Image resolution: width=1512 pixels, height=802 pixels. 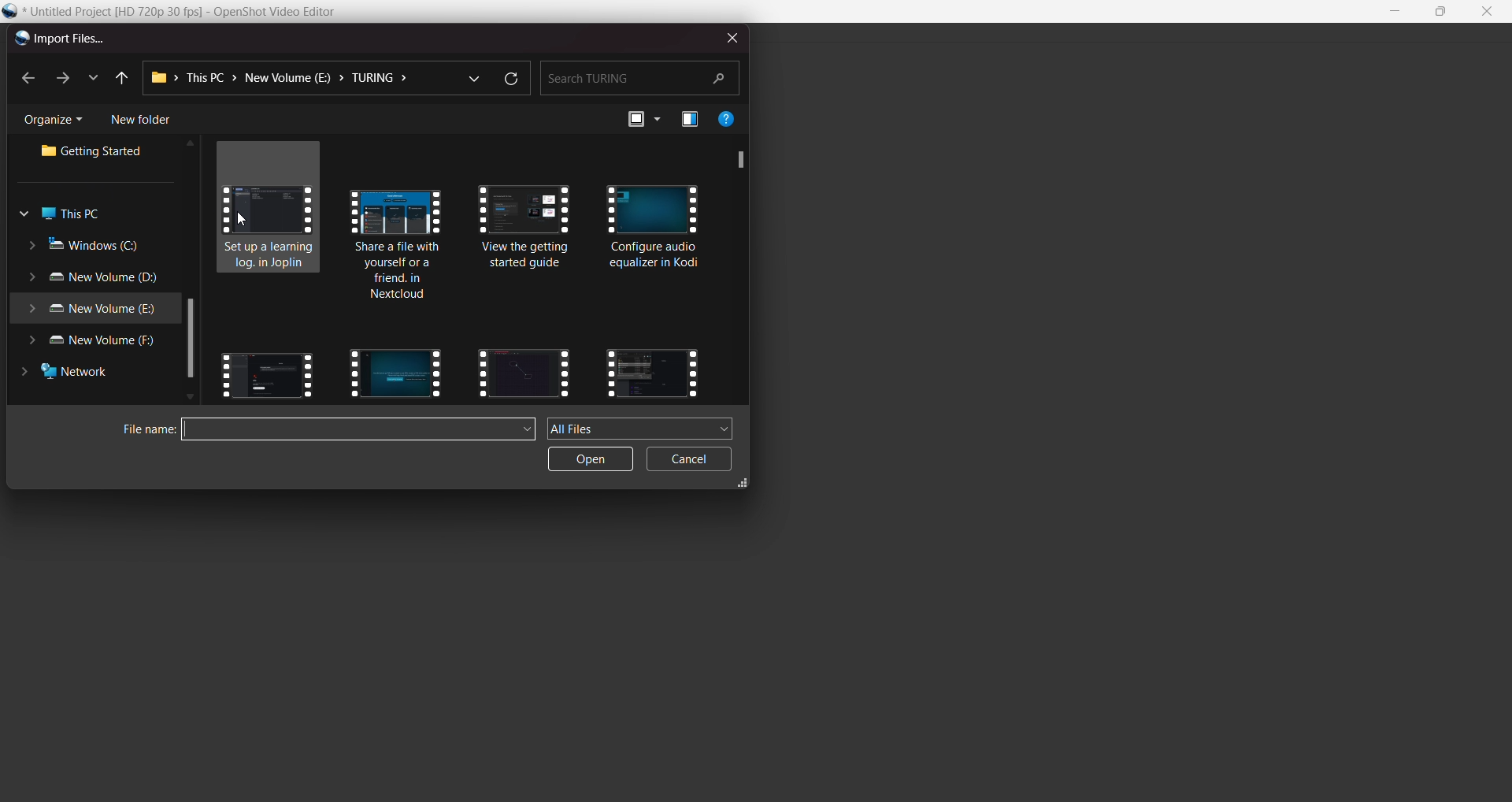 What do you see at coordinates (87, 246) in the screenshot?
I see `windows c` at bounding box center [87, 246].